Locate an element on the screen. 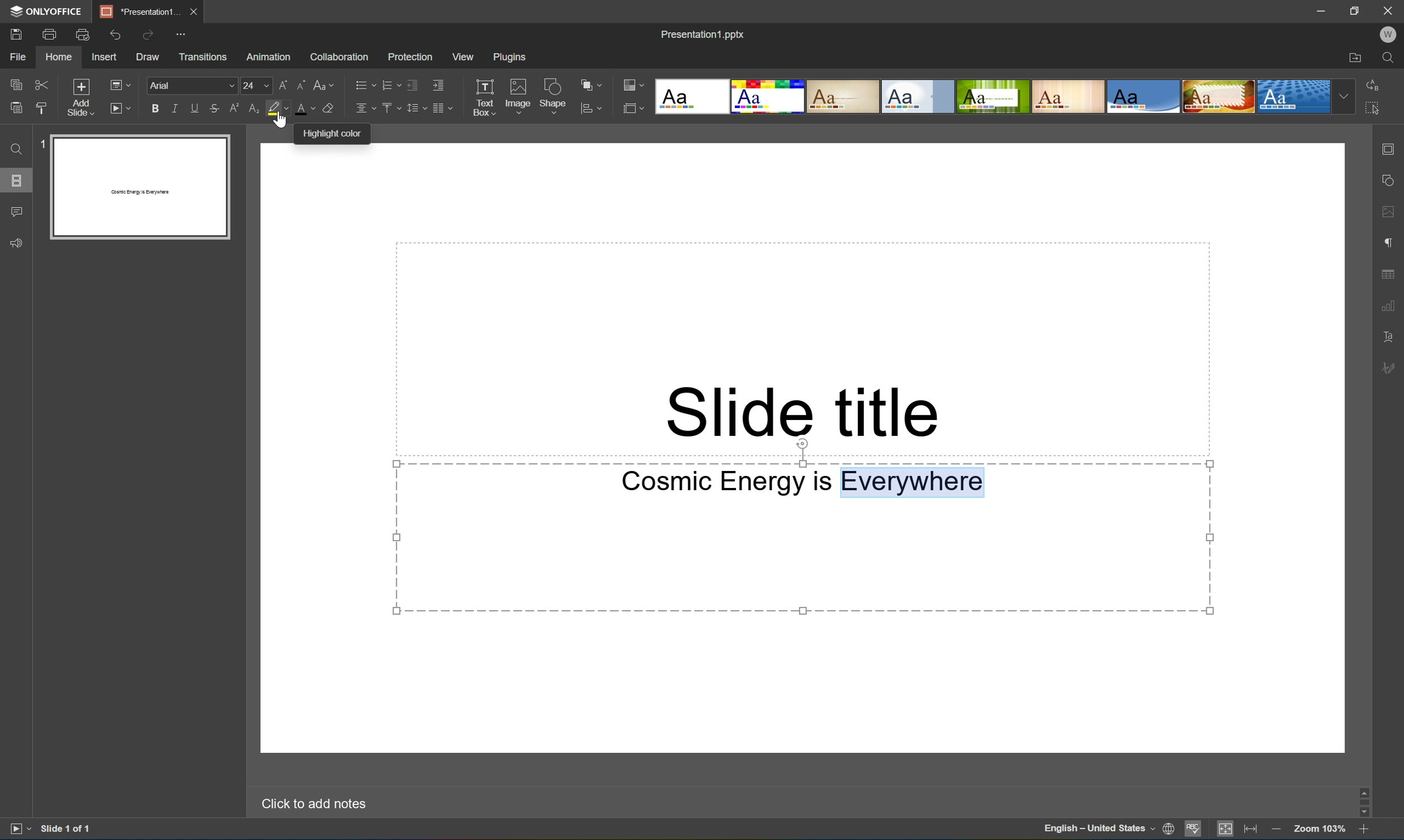 The height and width of the screenshot is (840, 1404). Image settings is located at coordinates (1390, 210).